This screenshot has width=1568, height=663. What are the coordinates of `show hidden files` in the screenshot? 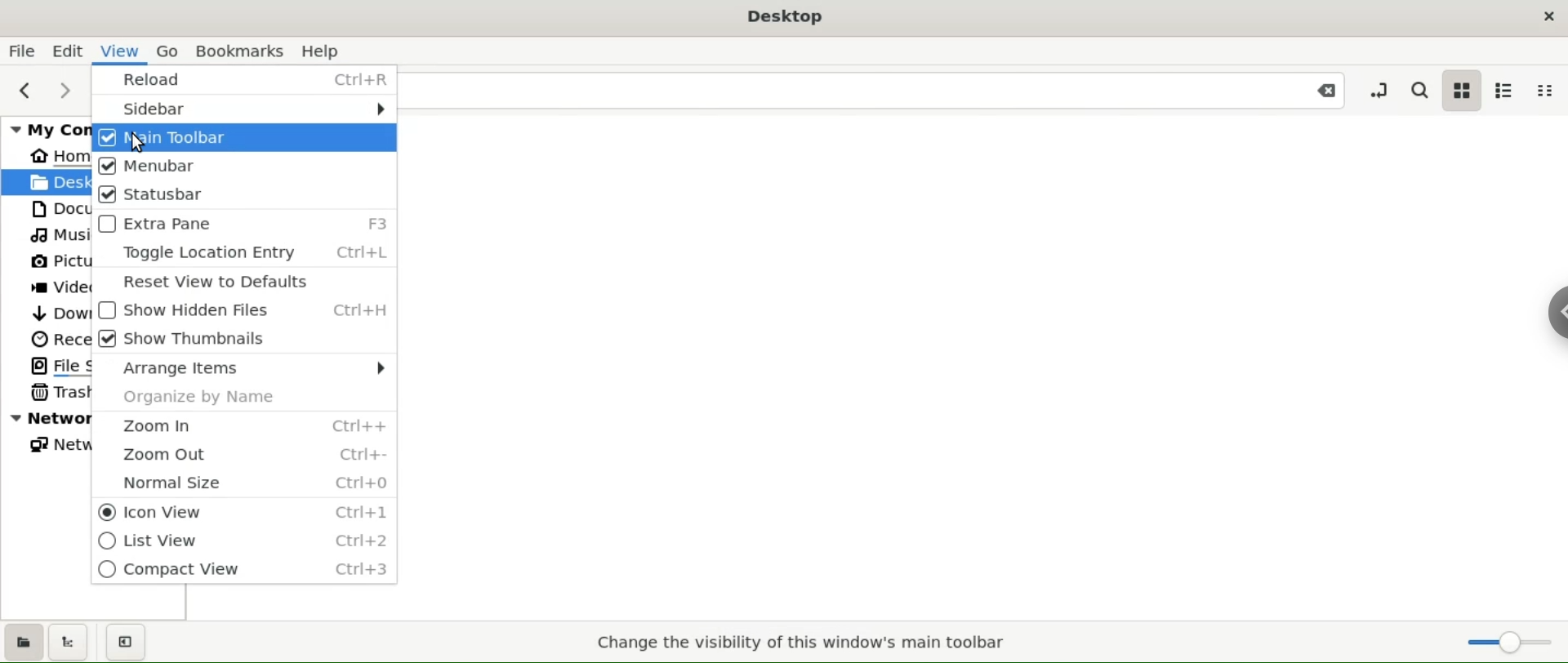 It's located at (243, 310).